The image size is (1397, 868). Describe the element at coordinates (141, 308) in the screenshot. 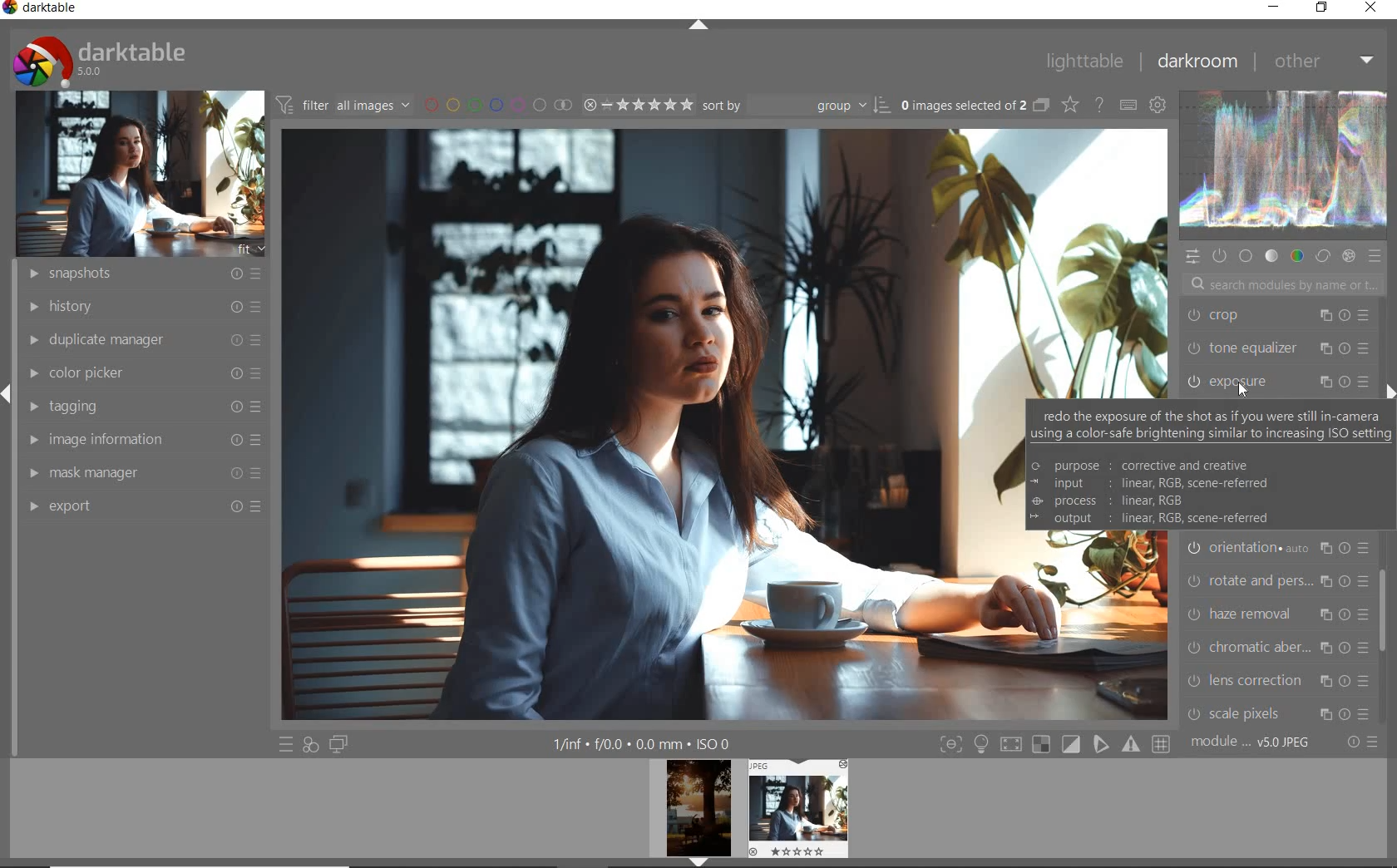

I see `HISTORY` at that location.